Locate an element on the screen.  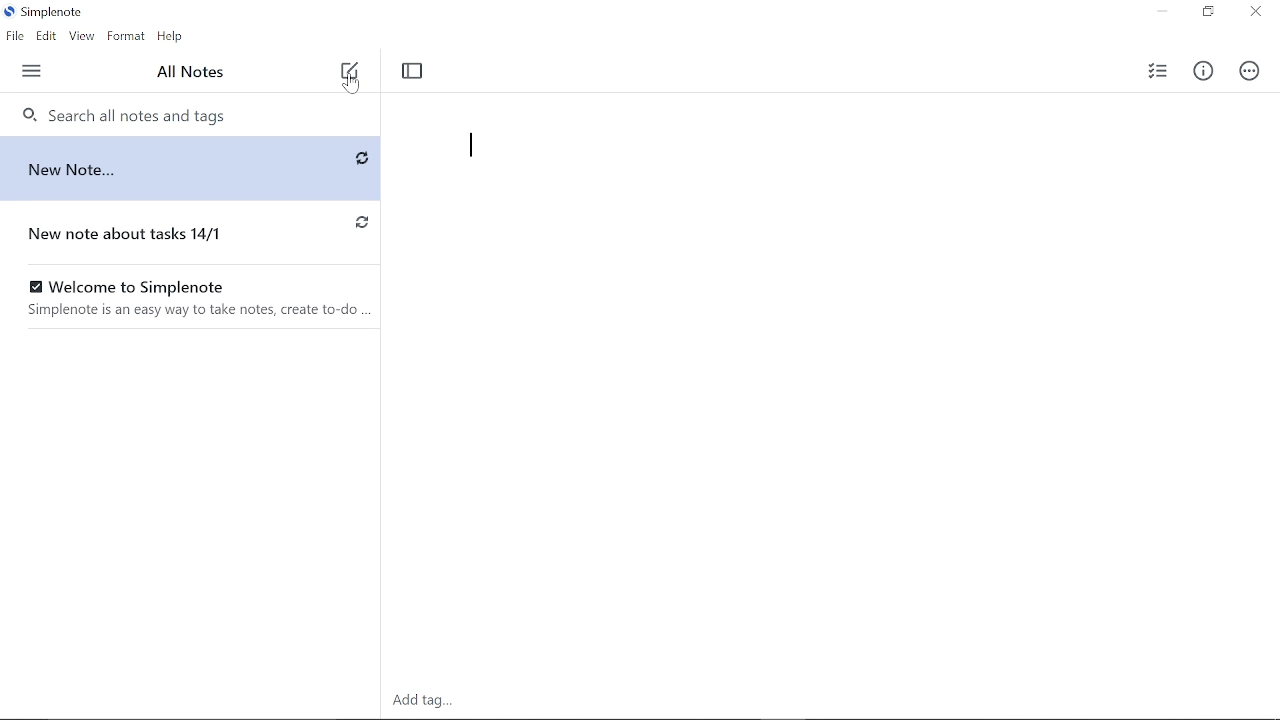
Cursor is located at coordinates (353, 84).